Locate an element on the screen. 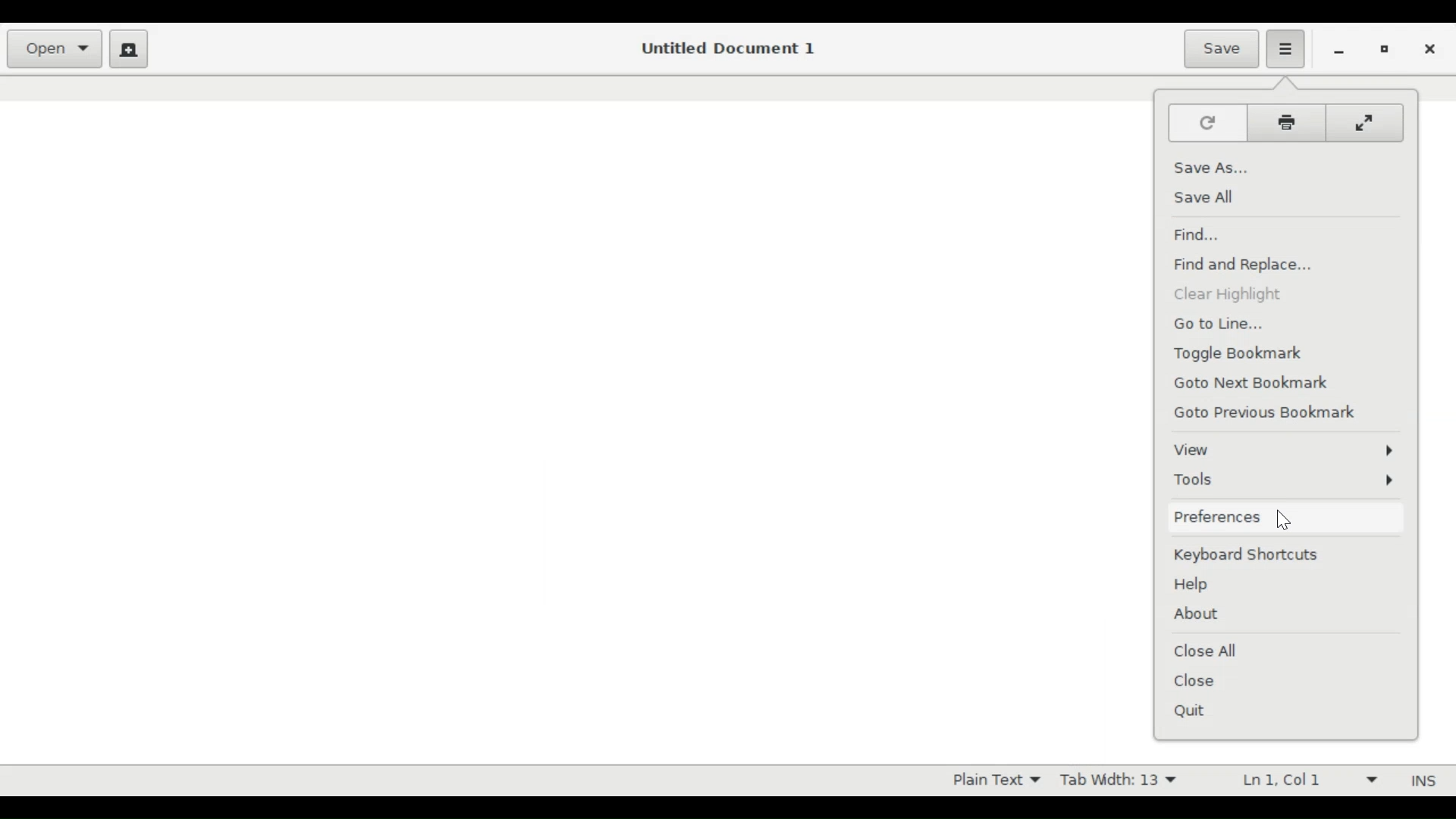  Clear Highlight is located at coordinates (1229, 296).